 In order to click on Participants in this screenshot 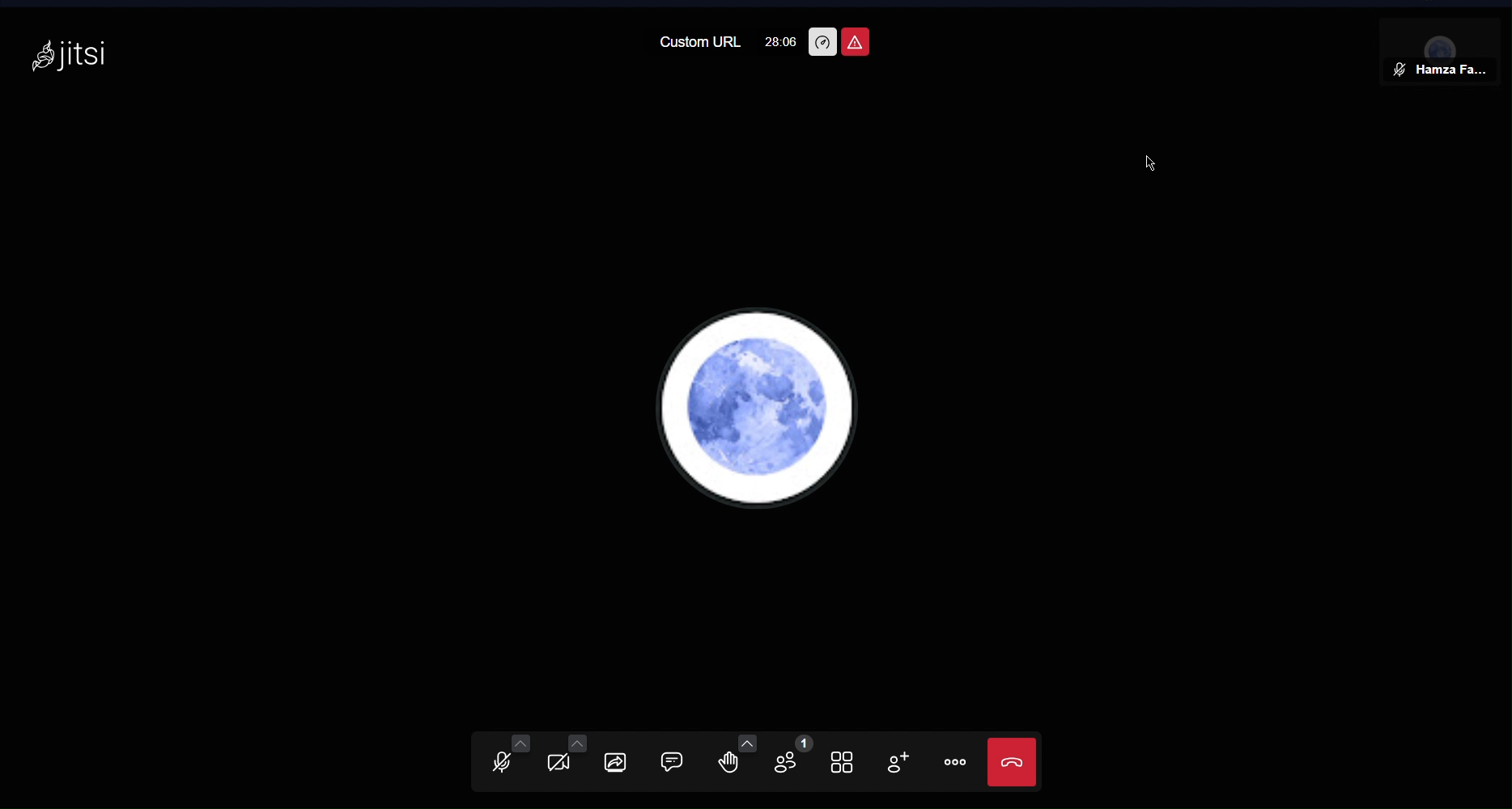, I will do `click(792, 762)`.